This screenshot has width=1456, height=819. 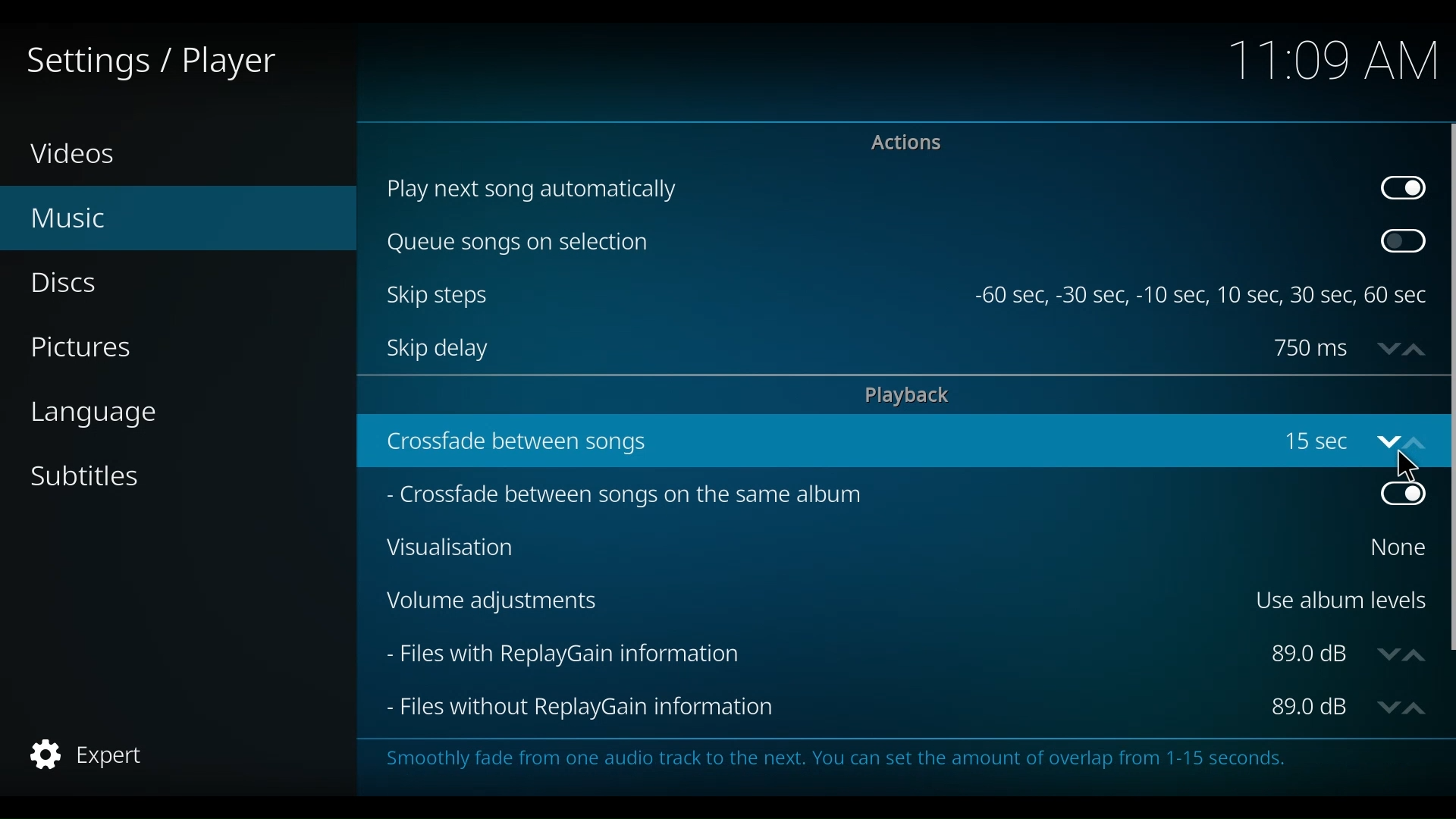 I want to click on Skip stes, so click(x=674, y=295).